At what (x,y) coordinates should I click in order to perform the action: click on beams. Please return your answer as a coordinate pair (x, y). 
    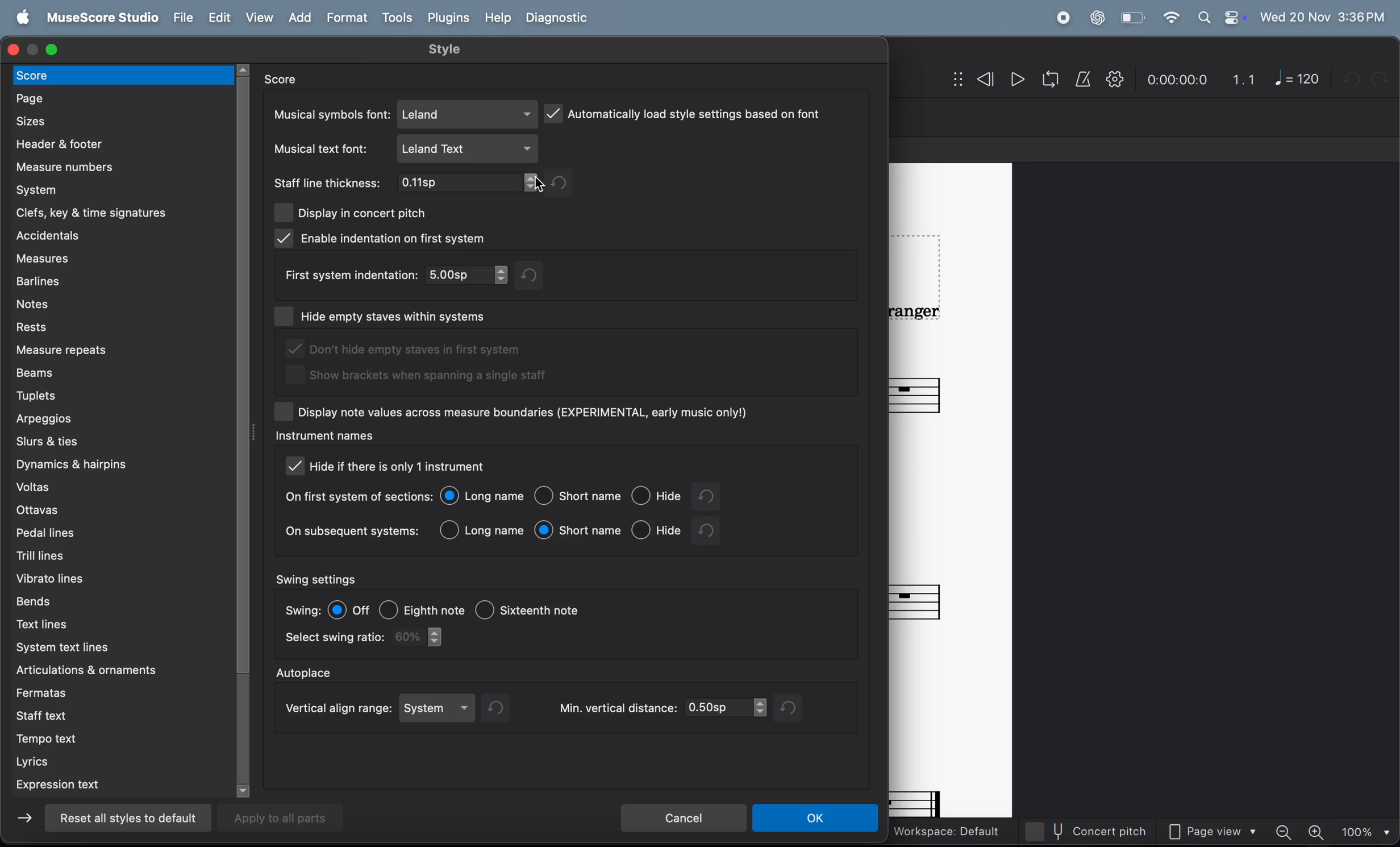
    Looking at the image, I should click on (122, 372).